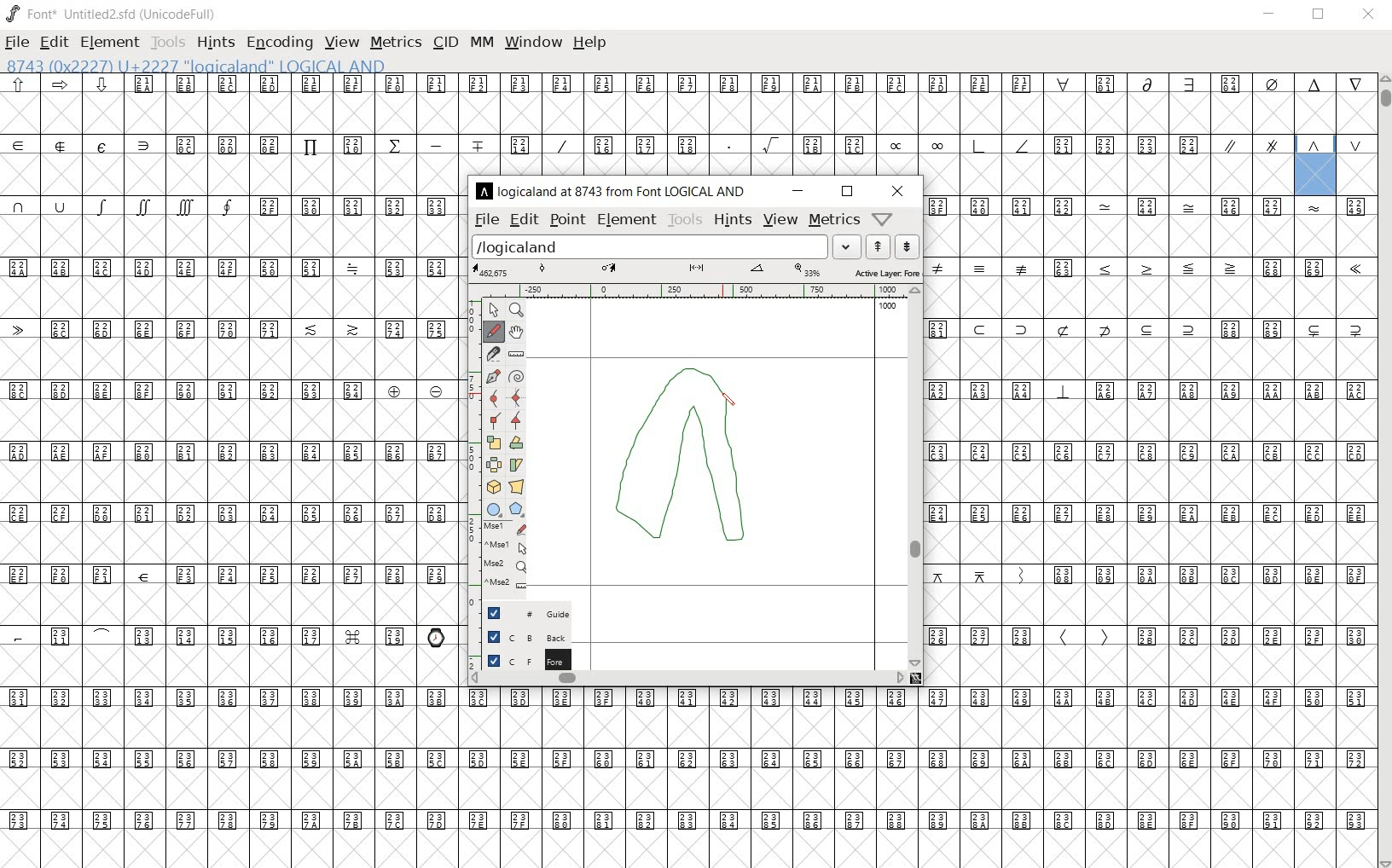 The height and width of the screenshot is (868, 1392). What do you see at coordinates (525, 613) in the screenshot?
I see `Guide` at bounding box center [525, 613].